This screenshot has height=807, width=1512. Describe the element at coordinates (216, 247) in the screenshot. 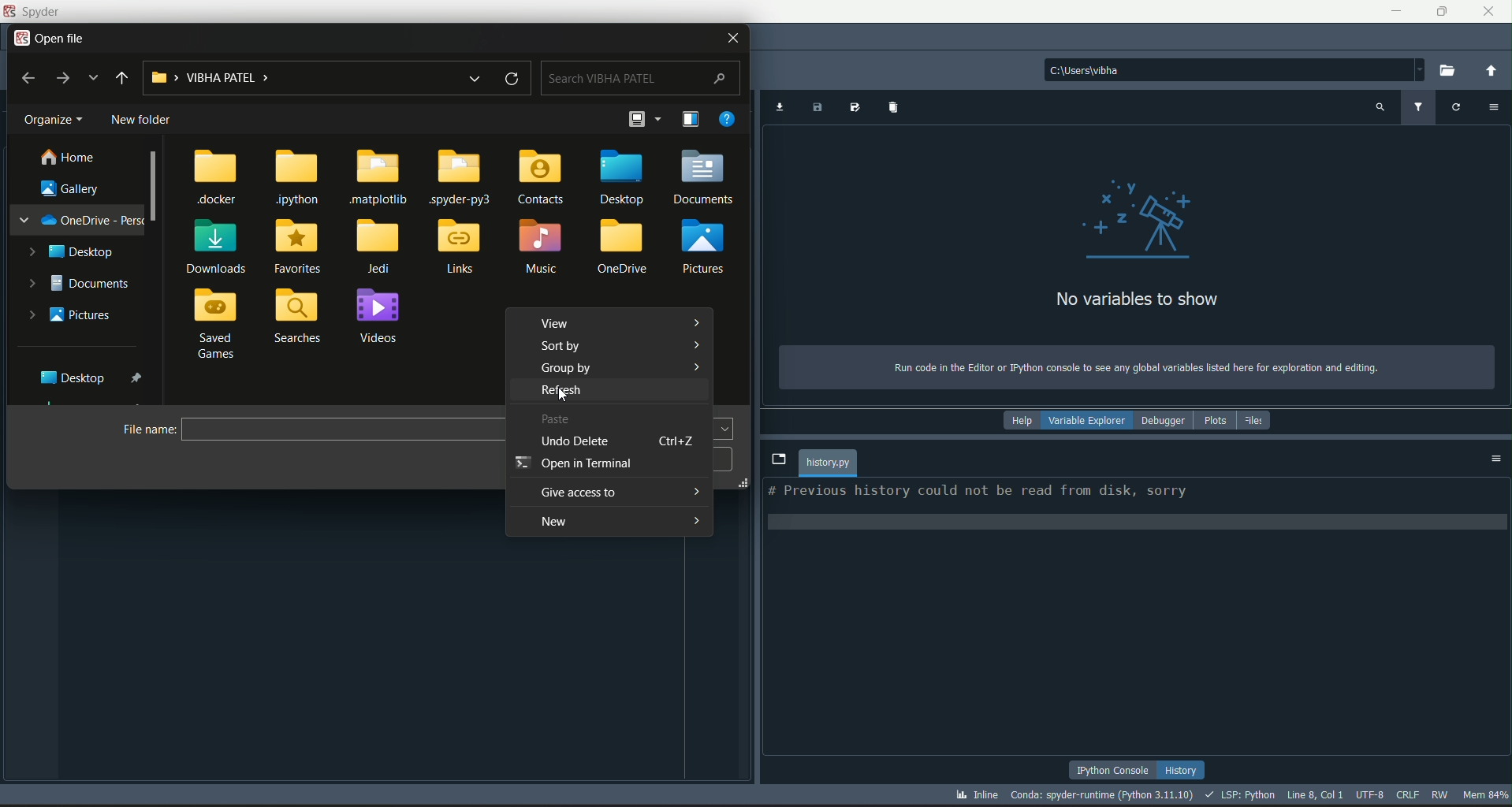

I see `downloads` at that location.